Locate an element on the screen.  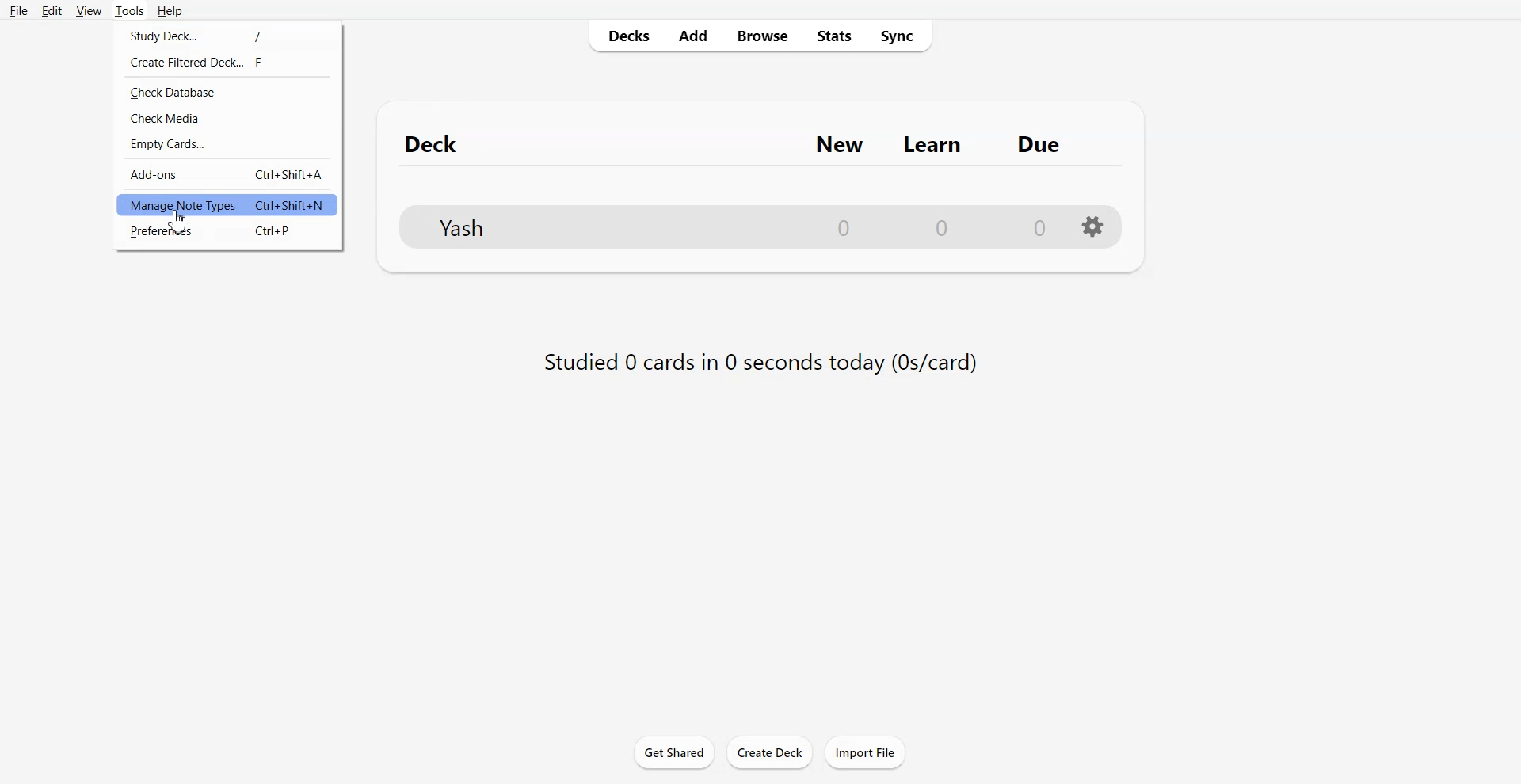
Study deck is located at coordinates (226, 35).